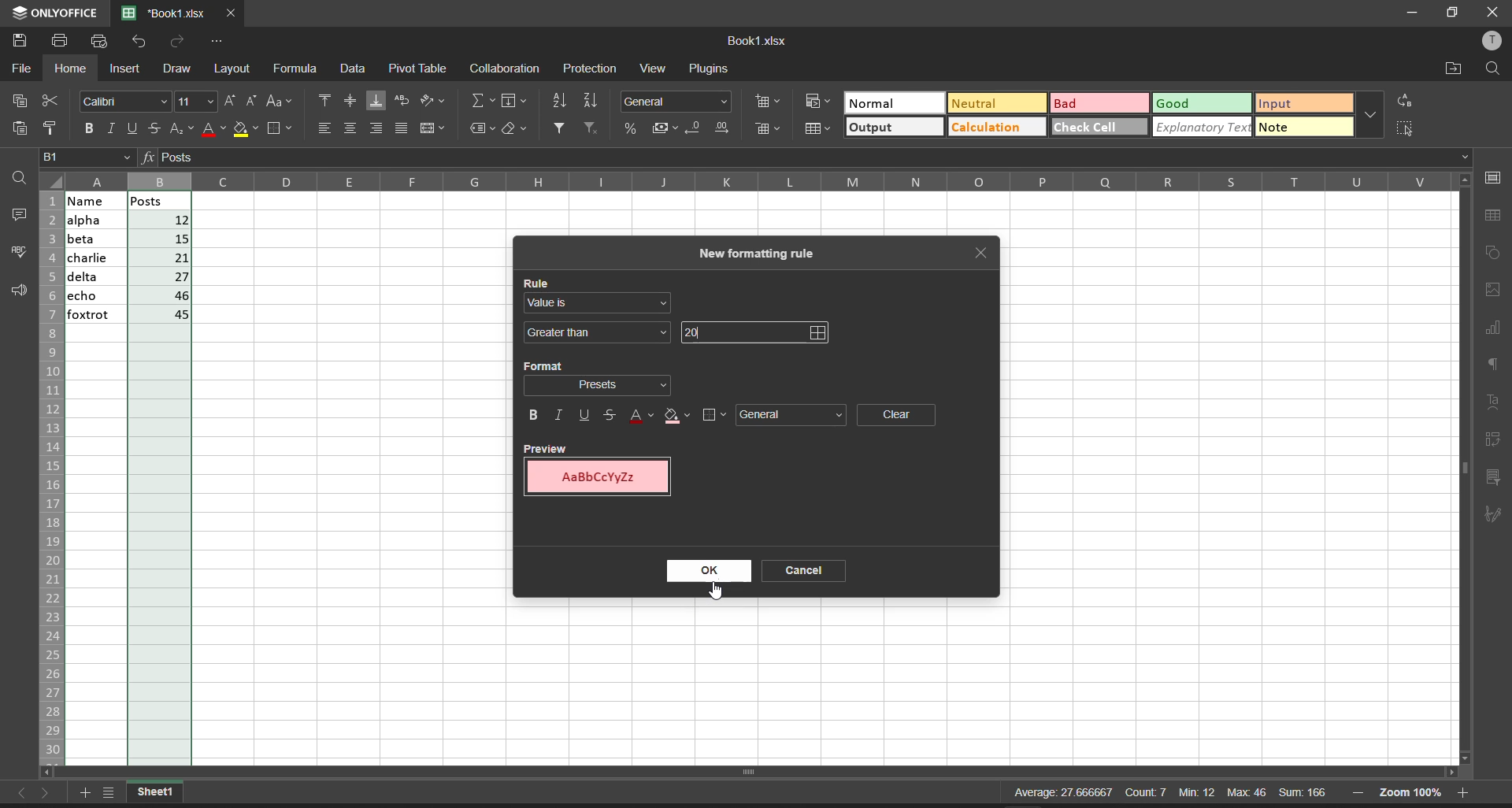 The height and width of the screenshot is (808, 1512). Describe the element at coordinates (542, 366) in the screenshot. I see `format` at that location.